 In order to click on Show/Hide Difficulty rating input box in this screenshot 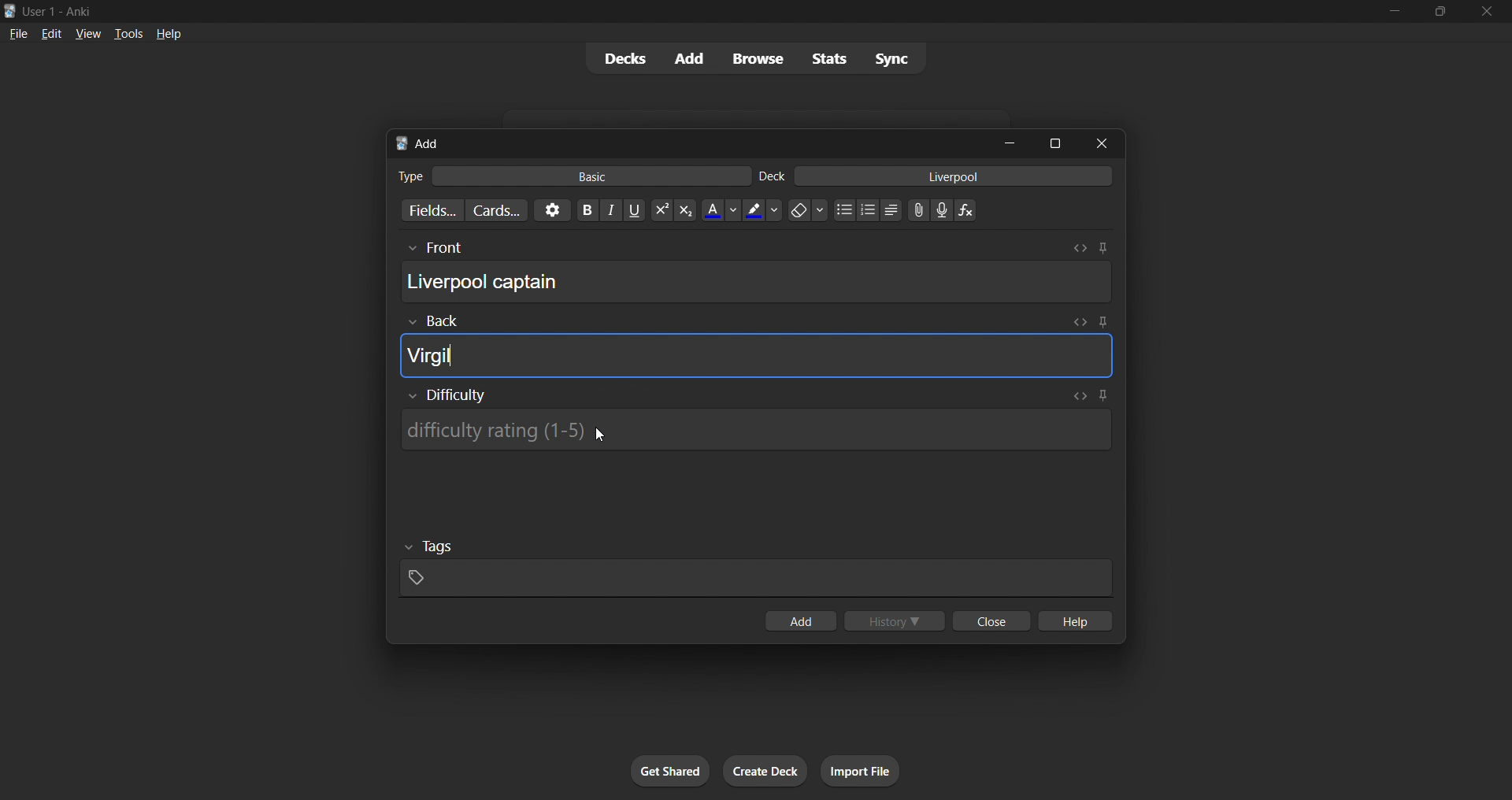, I will do `click(447, 395)`.